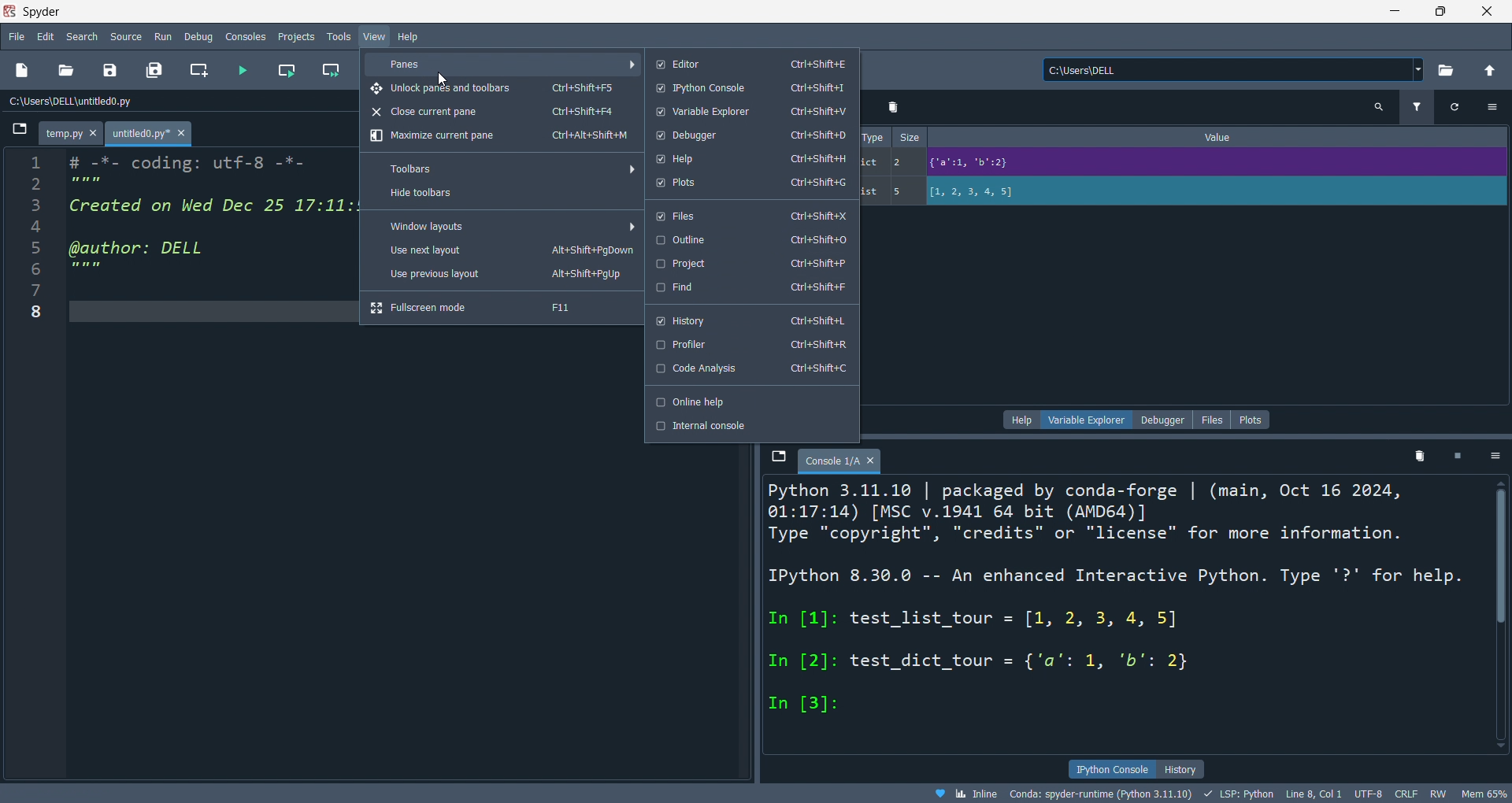 This screenshot has height=803, width=1512. I want to click on tab - Console 1/A, so click(840, 459).